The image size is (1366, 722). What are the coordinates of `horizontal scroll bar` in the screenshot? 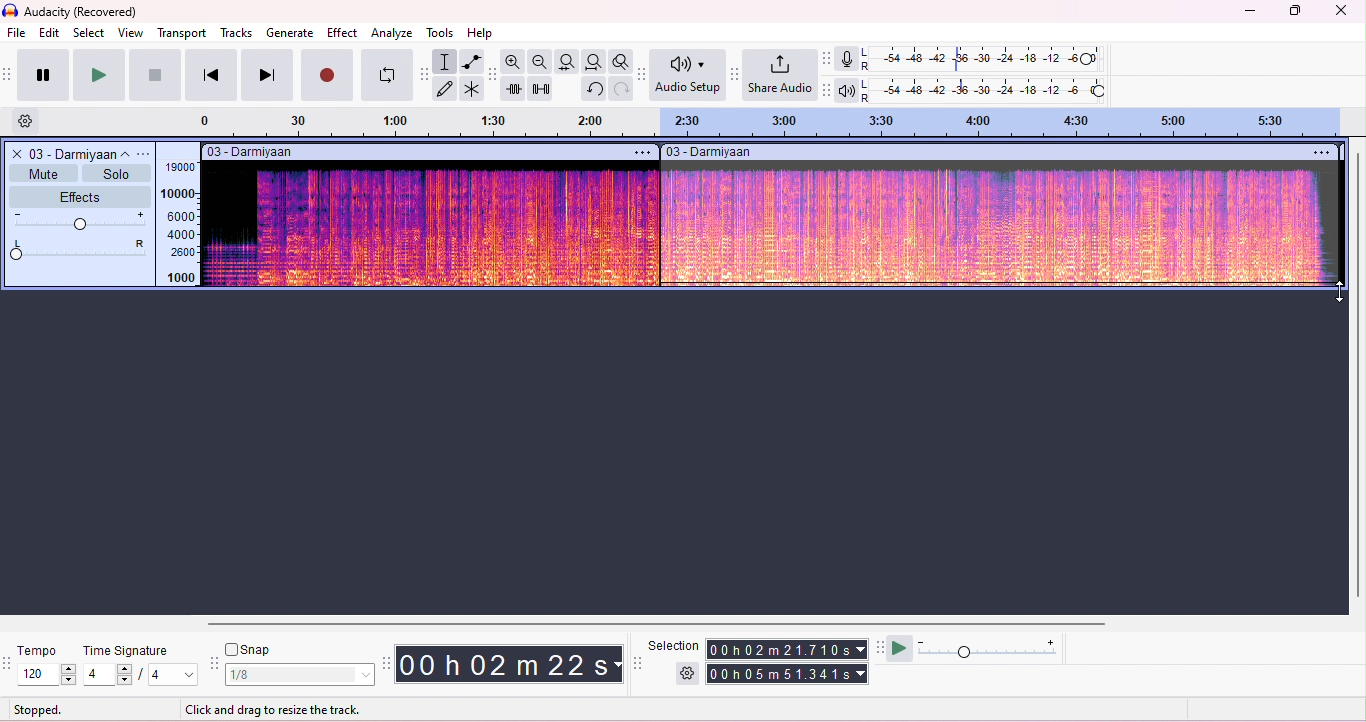 It's located at (648, 623).